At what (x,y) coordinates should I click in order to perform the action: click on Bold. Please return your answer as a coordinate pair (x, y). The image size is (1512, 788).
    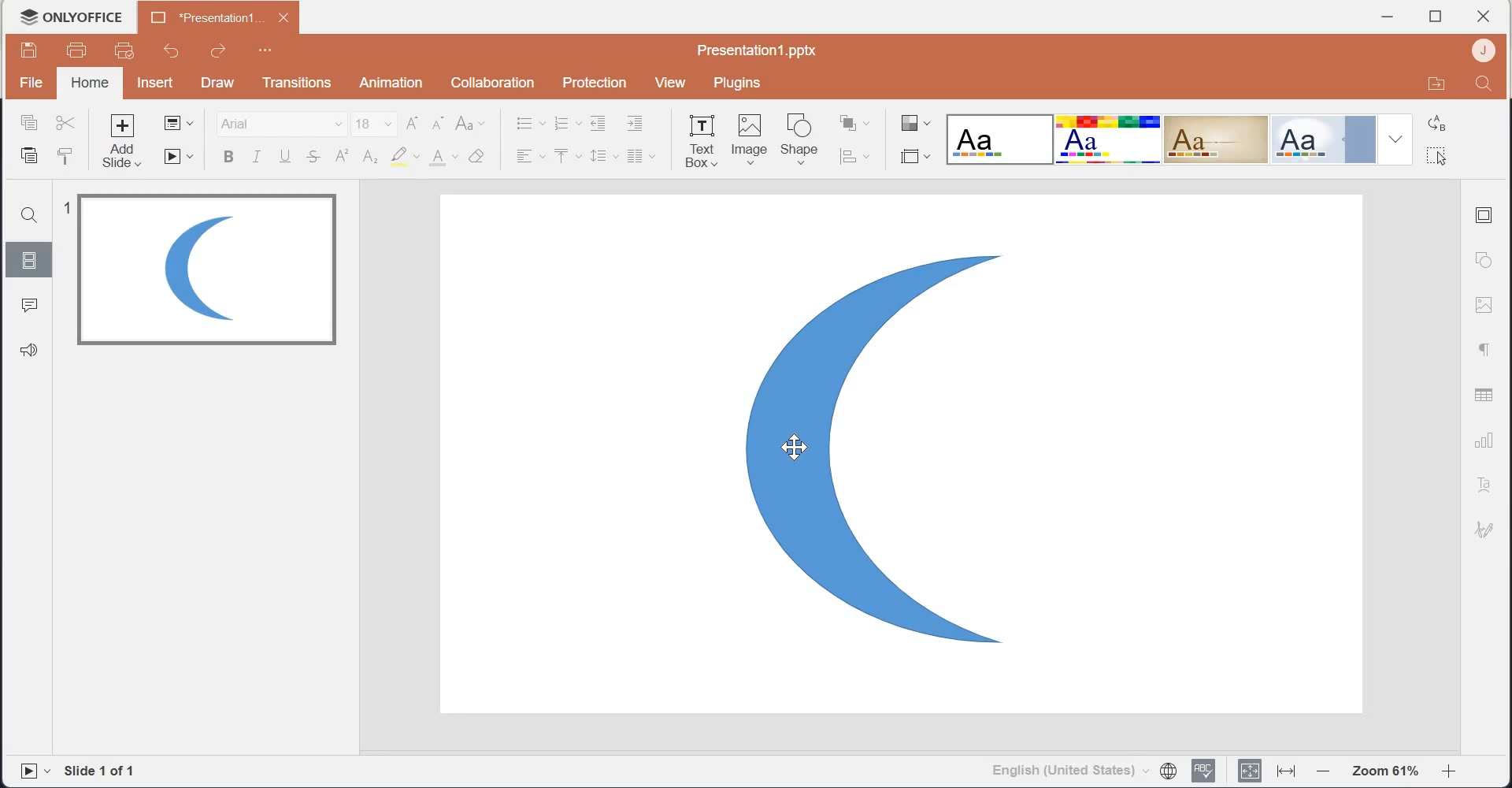
    Looking at the image, I should click on (229, 157).